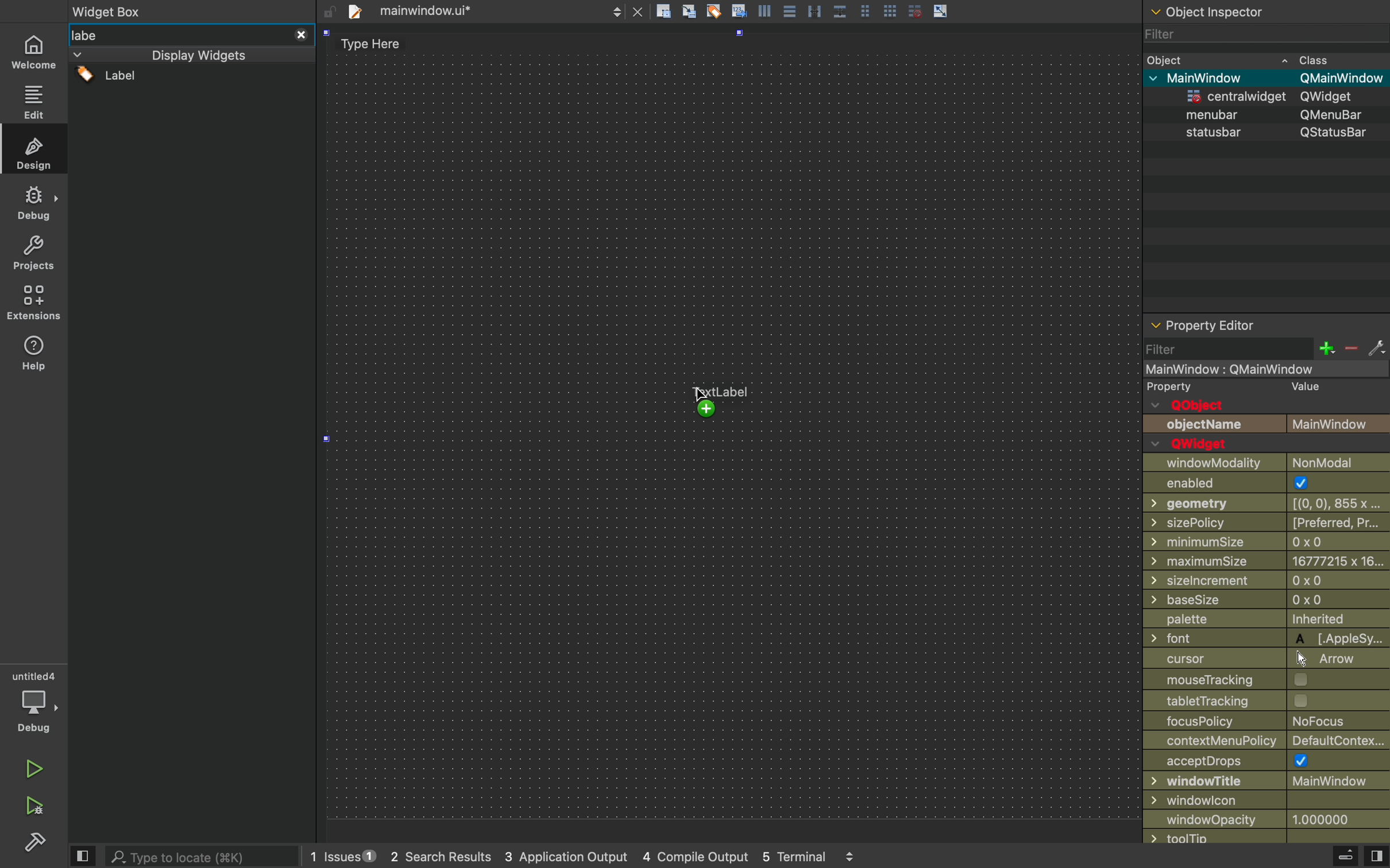 Image resolution: width=1390 pixels, height=868 pixels. I want to click on object, so click(1265, 59).